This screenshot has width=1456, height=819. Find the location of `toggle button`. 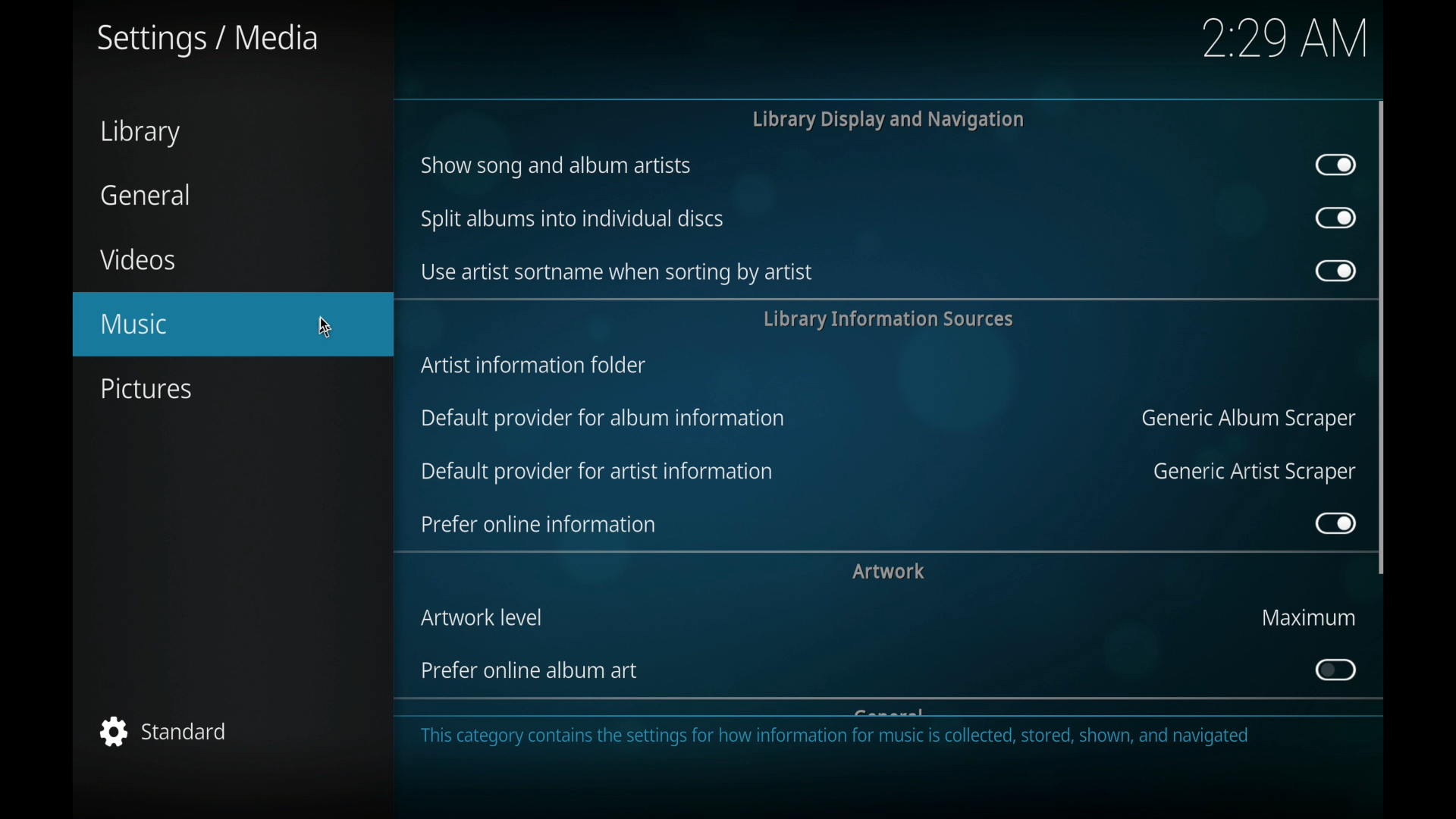

toggle button is located at coordinates (1334, 524).